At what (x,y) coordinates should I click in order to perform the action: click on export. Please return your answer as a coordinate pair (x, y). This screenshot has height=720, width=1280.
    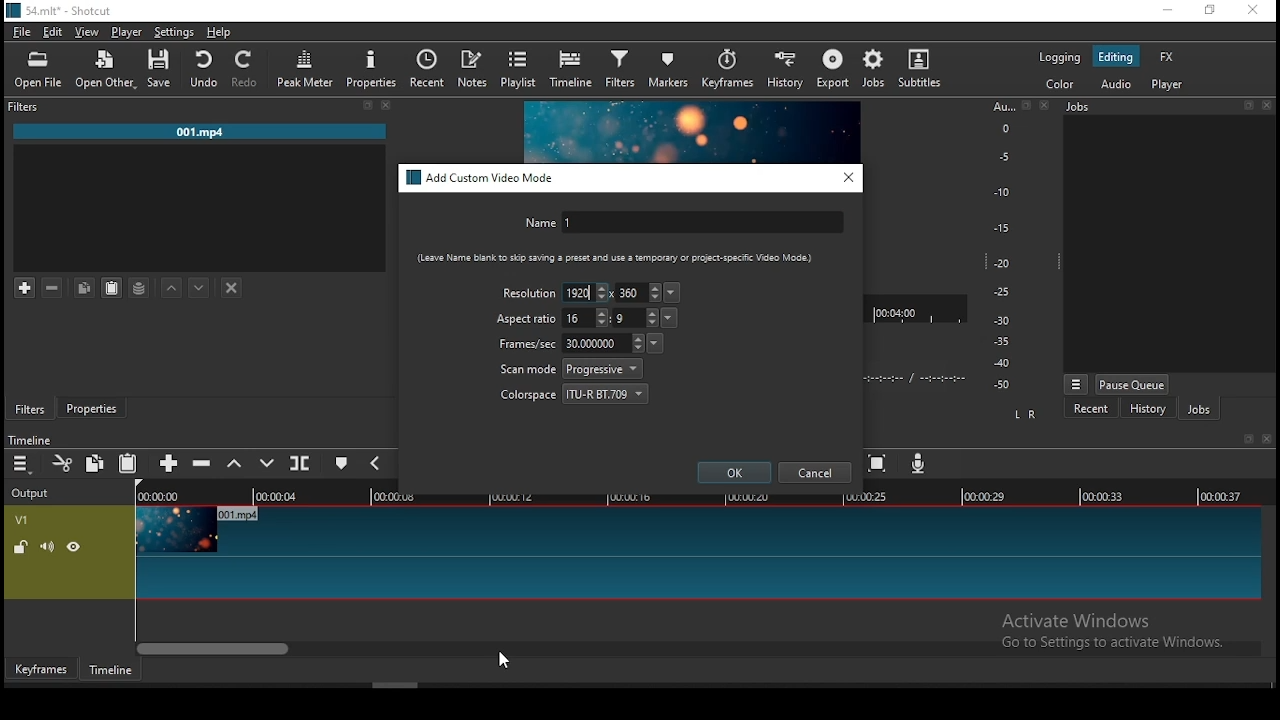
    Looking at the image, I should click on (835, 70).